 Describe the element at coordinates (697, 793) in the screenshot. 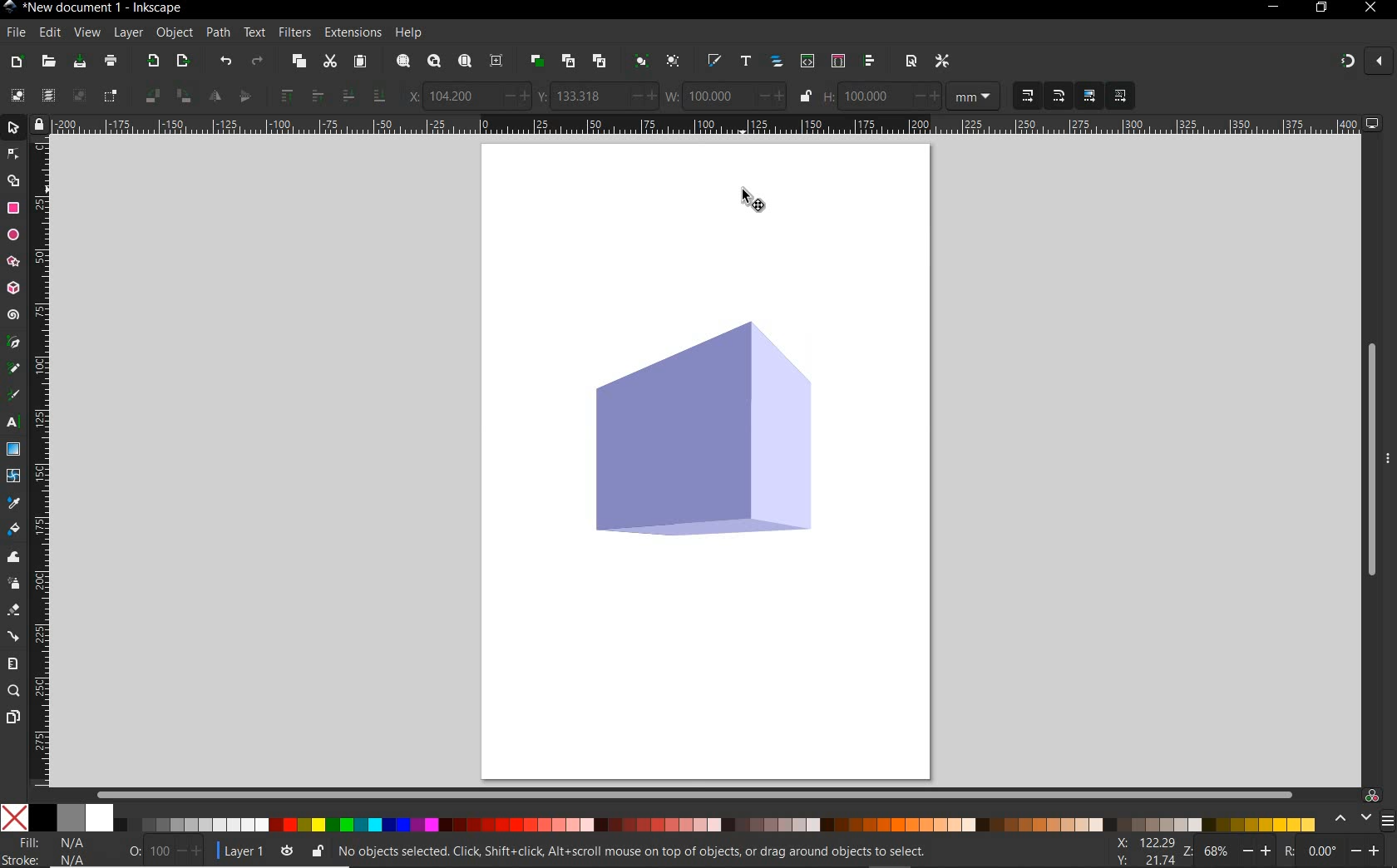

I see `scrollbar` at that location.